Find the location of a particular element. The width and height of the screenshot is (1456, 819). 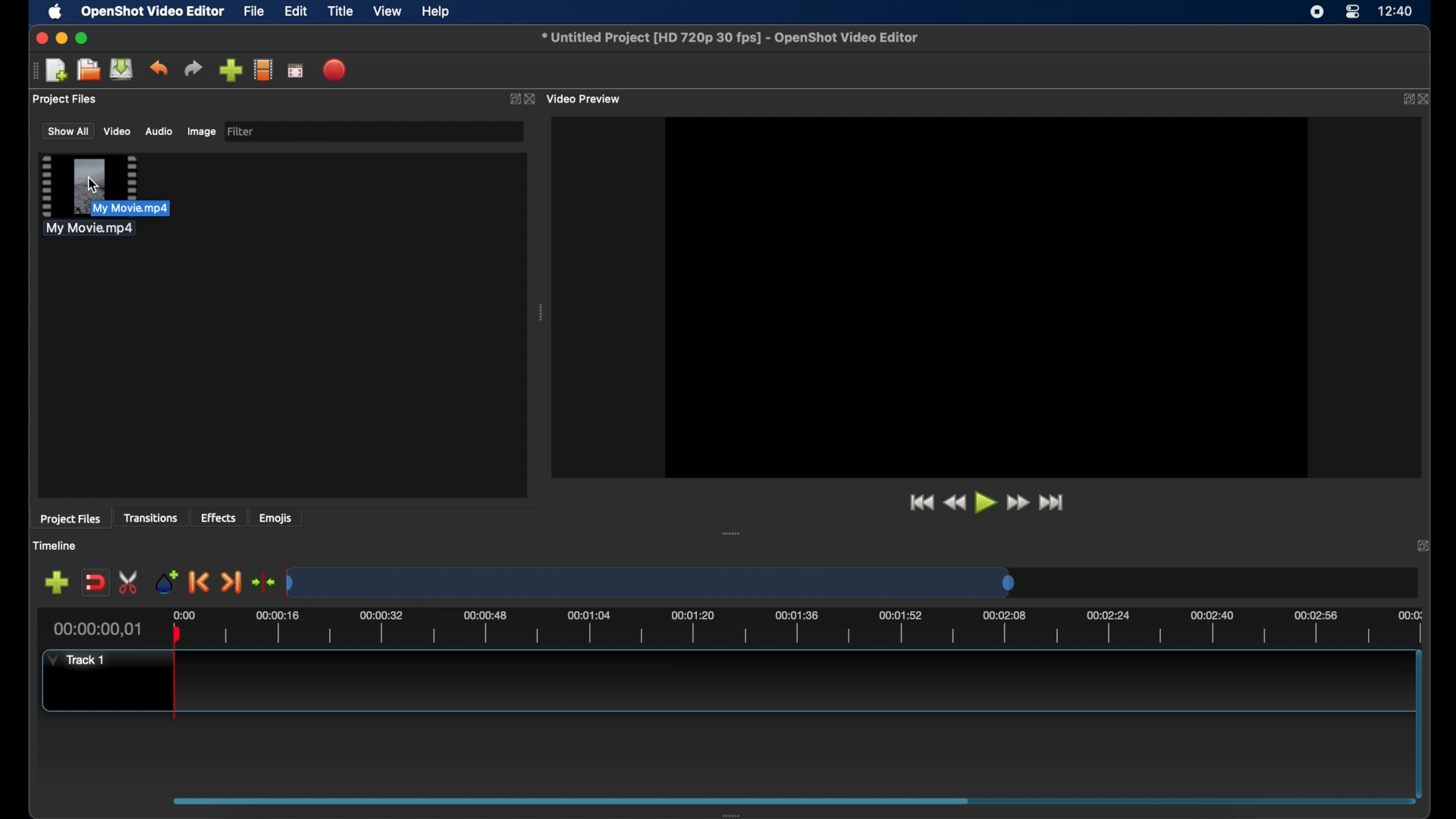

emojis is located at coordinates (277, 519).